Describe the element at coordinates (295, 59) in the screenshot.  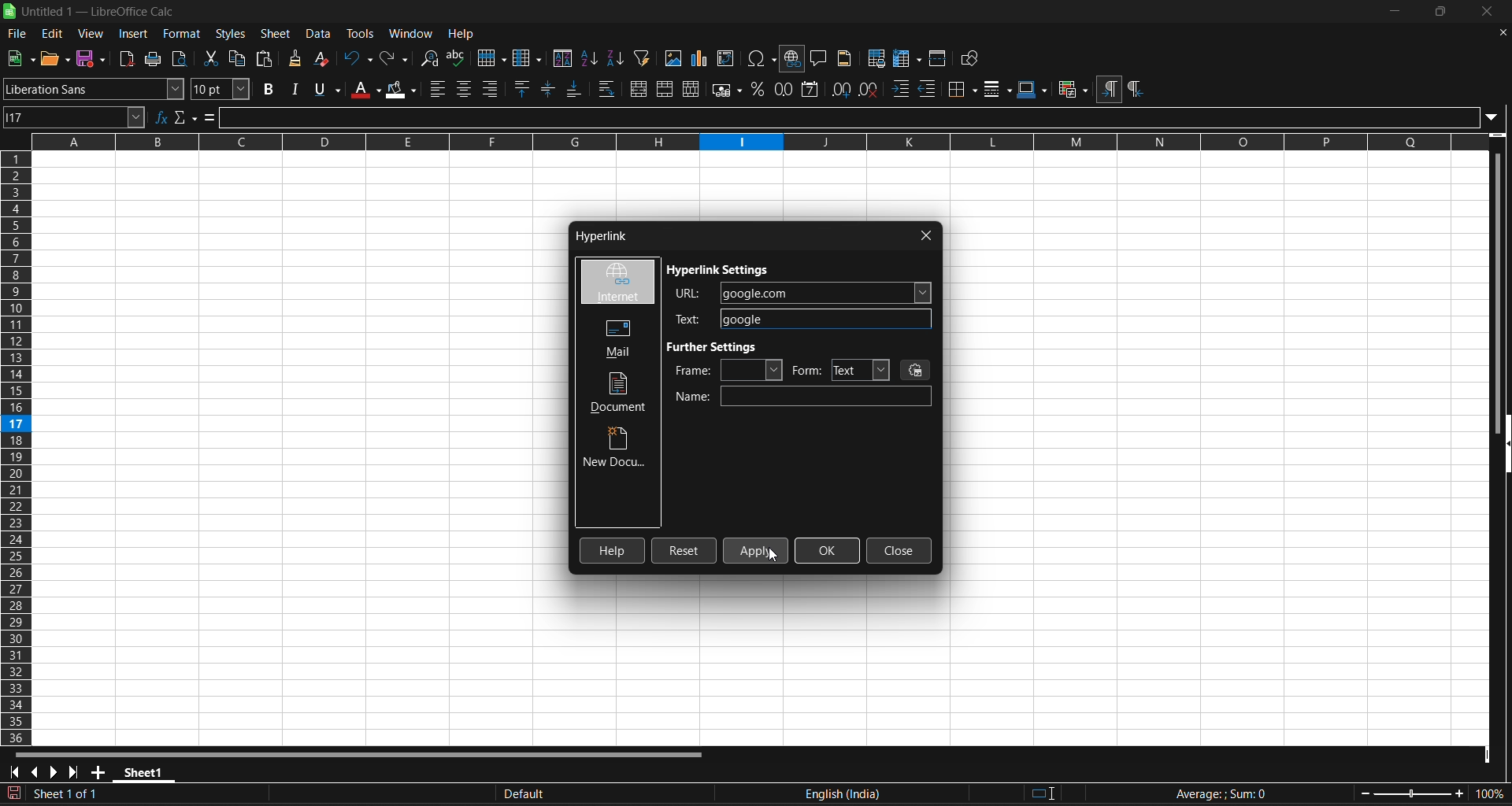
I see `clone formating` at that location.